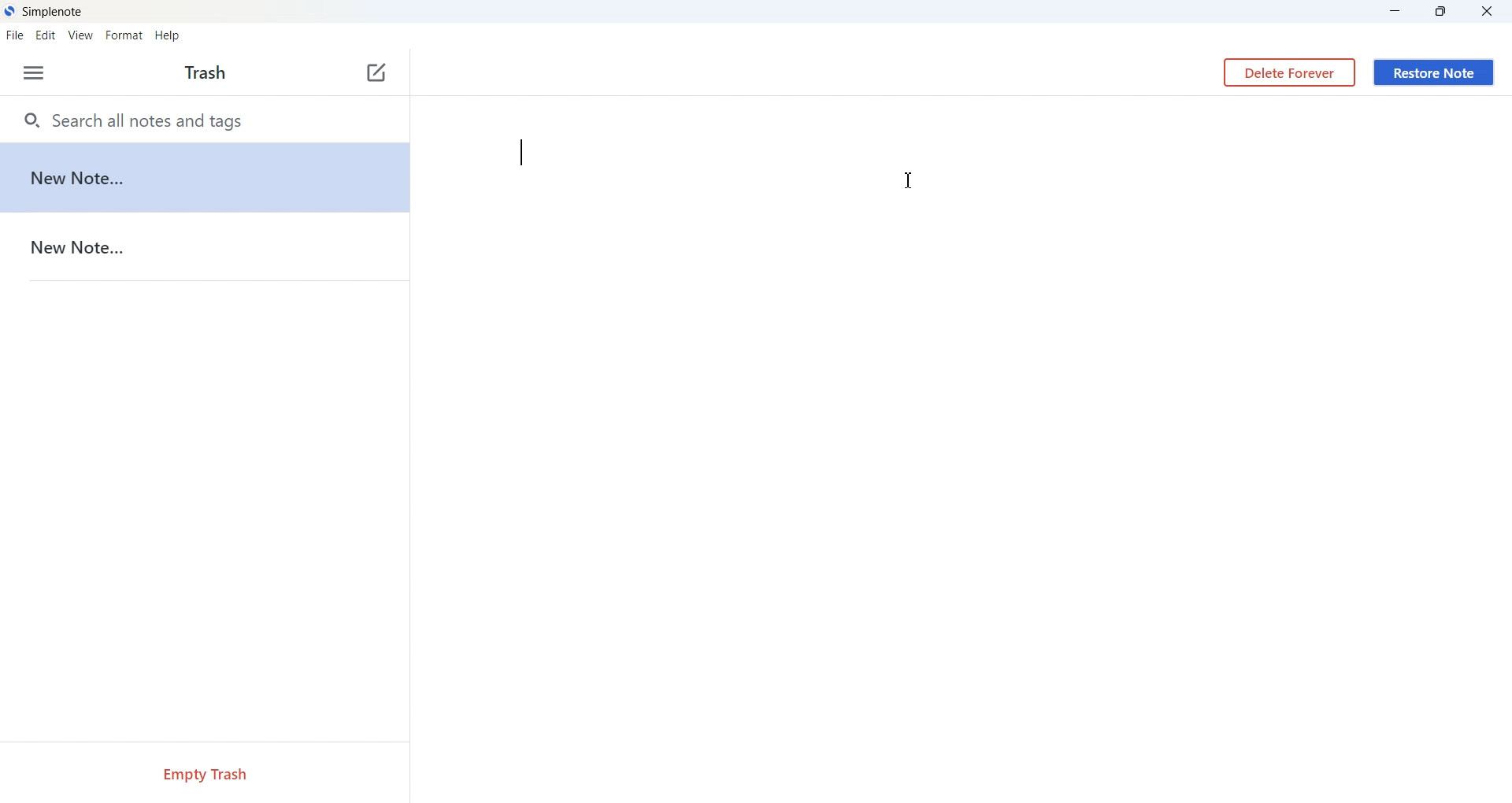 This screenshot has width=1512, height=803. What do you see at coordinates (206, 74) in the screenshot?
I see `Text` at bounding box center [206, 74].